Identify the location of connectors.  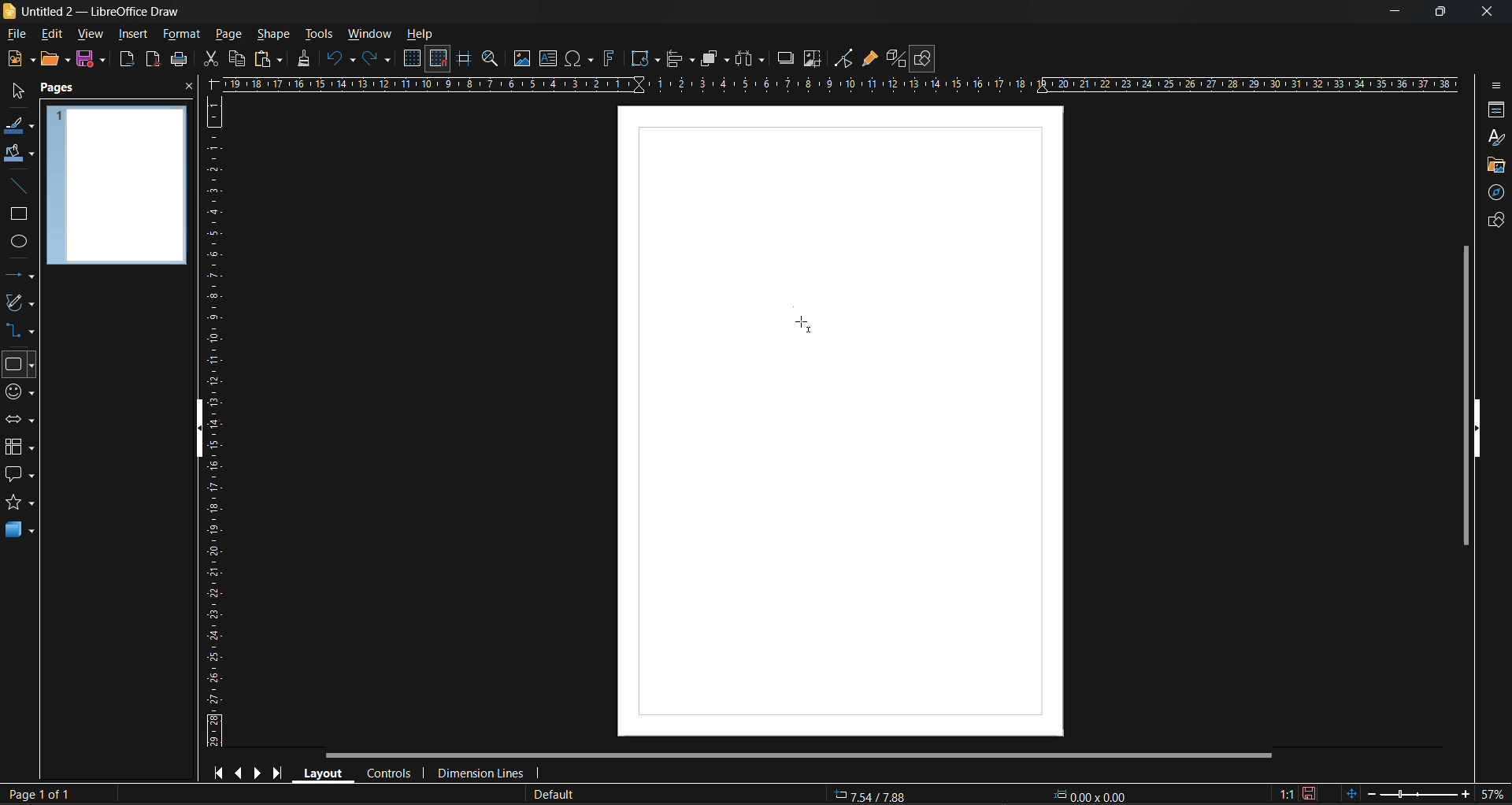
(18, 329).